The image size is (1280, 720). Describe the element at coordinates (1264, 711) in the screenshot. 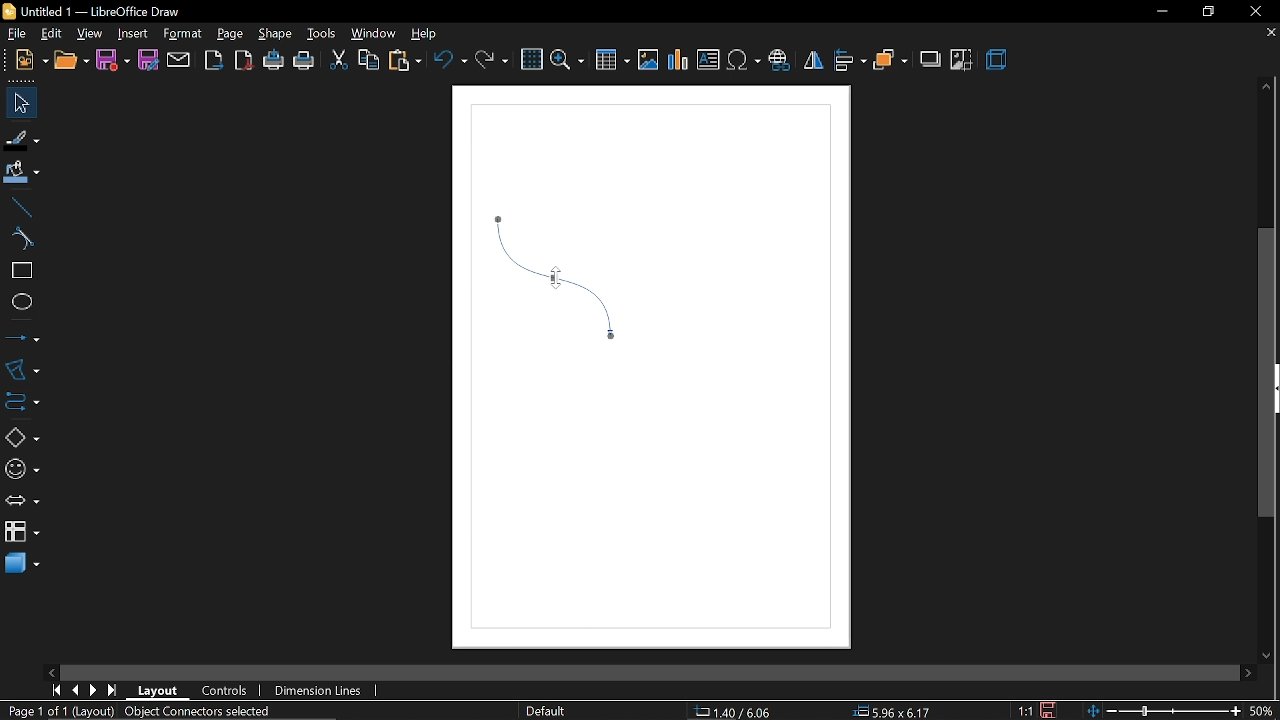

I see `current zoom` at that location.